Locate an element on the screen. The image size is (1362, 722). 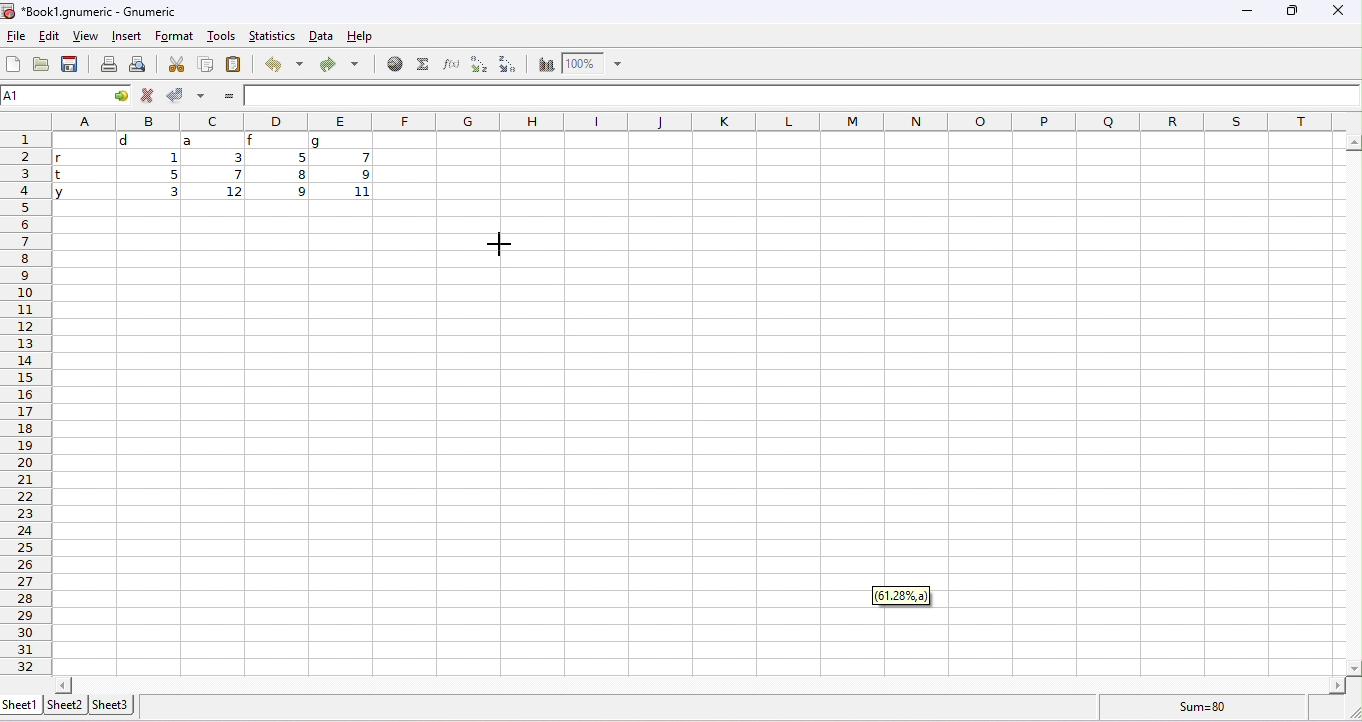
zoom is located at coordinates (592, 63).